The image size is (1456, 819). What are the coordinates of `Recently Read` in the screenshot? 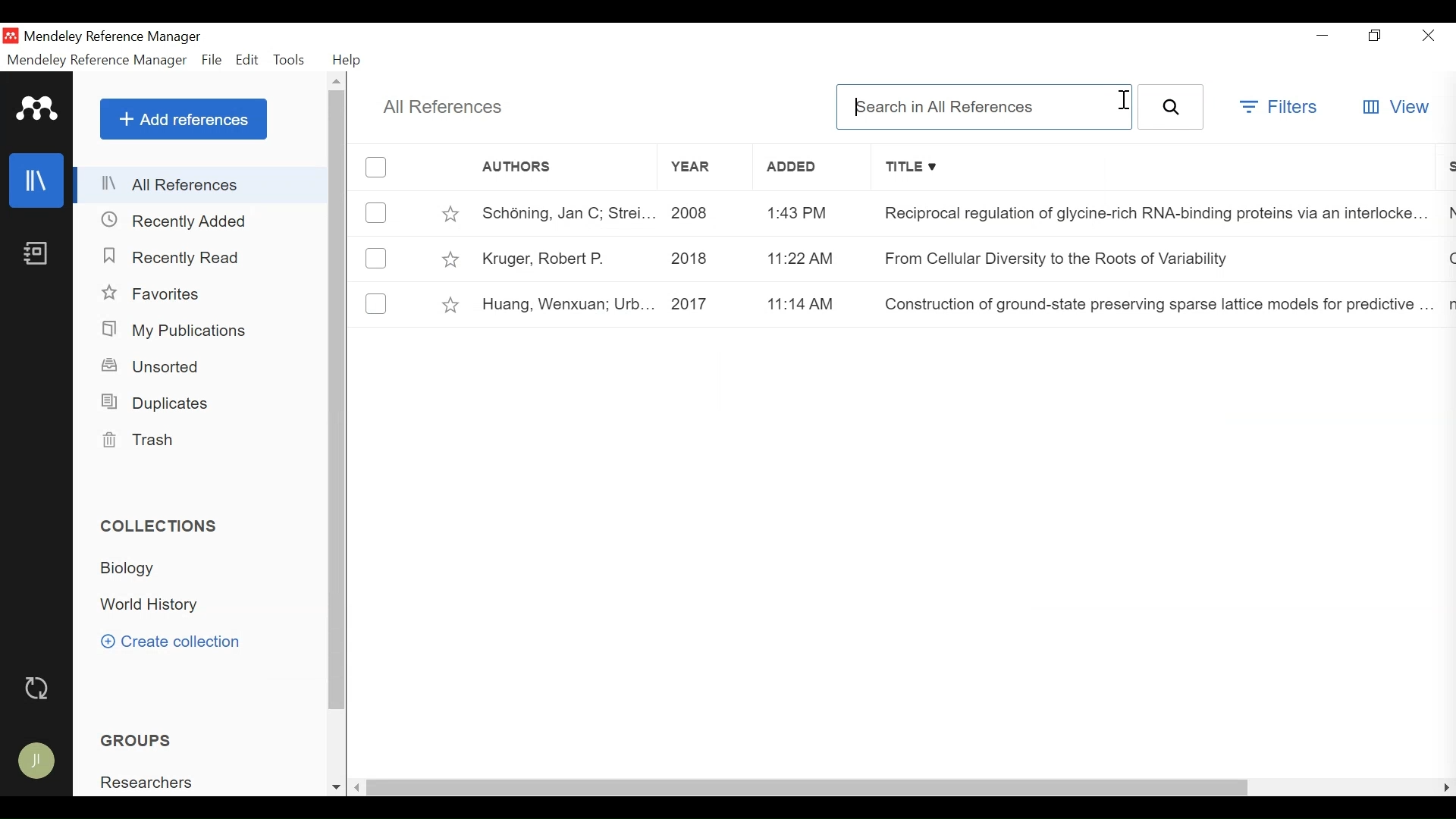 It's located at (172, 257).